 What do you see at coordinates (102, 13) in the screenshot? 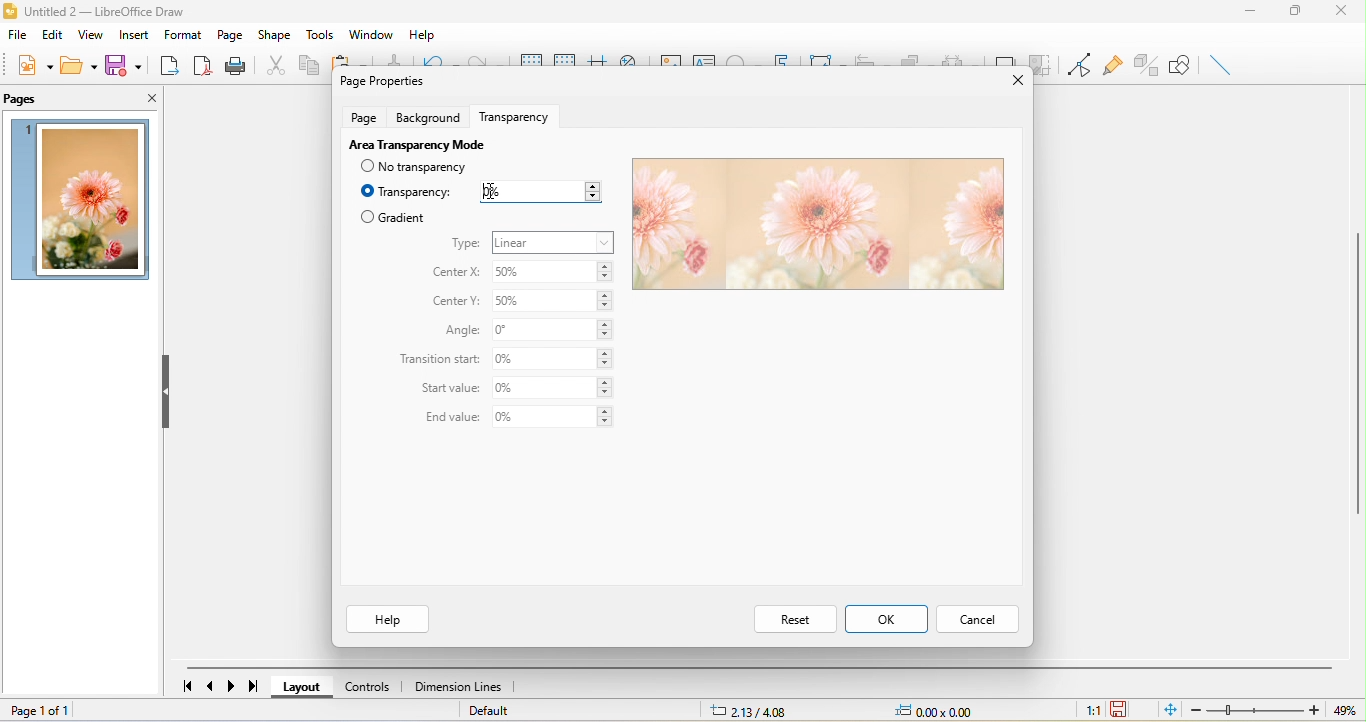
I see `title` at bounding box center [102, 13].